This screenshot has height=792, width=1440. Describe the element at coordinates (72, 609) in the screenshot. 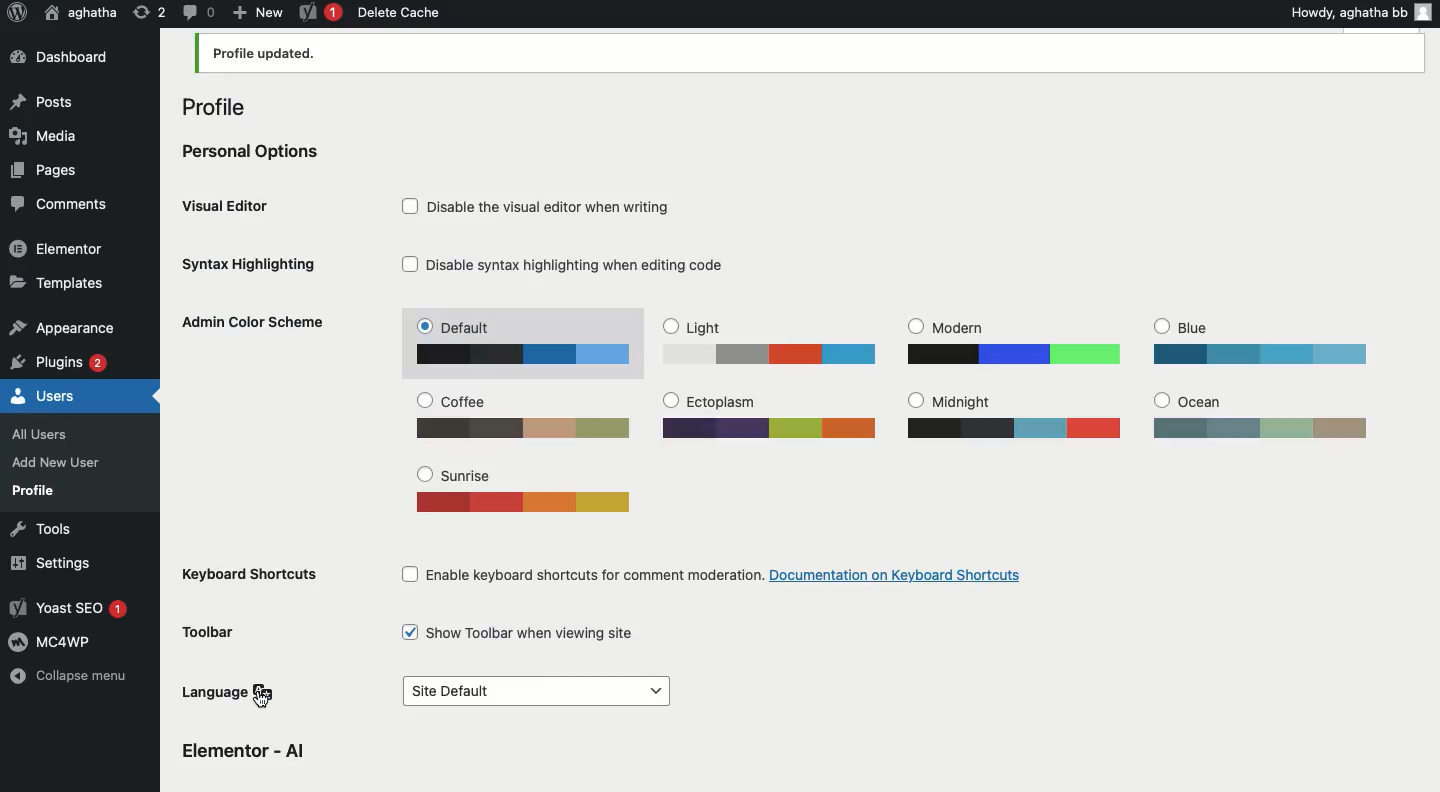

I see `Yoast SEO 1` at that location.